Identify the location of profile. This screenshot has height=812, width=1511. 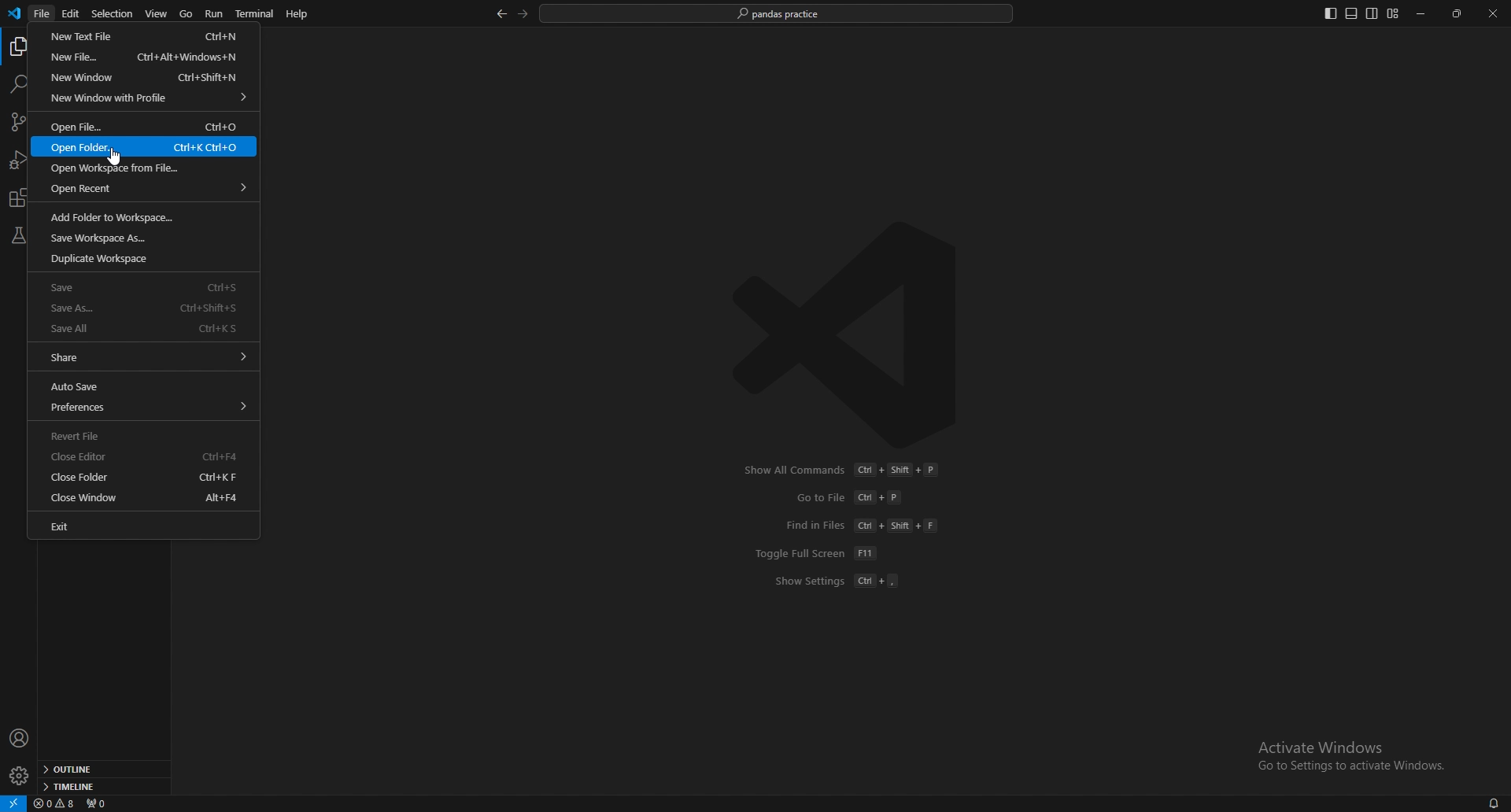
(20, 739).